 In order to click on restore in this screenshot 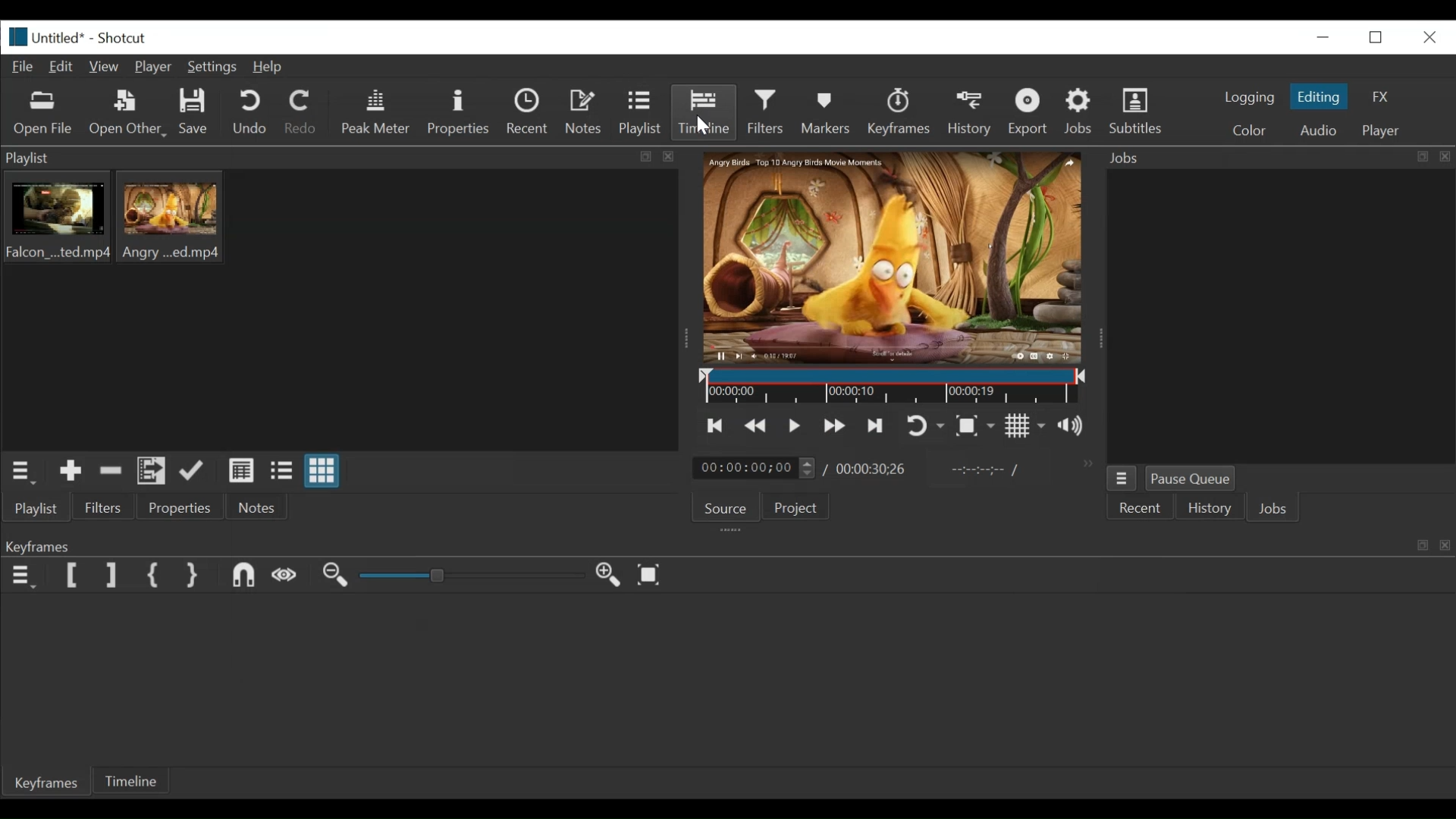, I will do `click(1380, 36)`.